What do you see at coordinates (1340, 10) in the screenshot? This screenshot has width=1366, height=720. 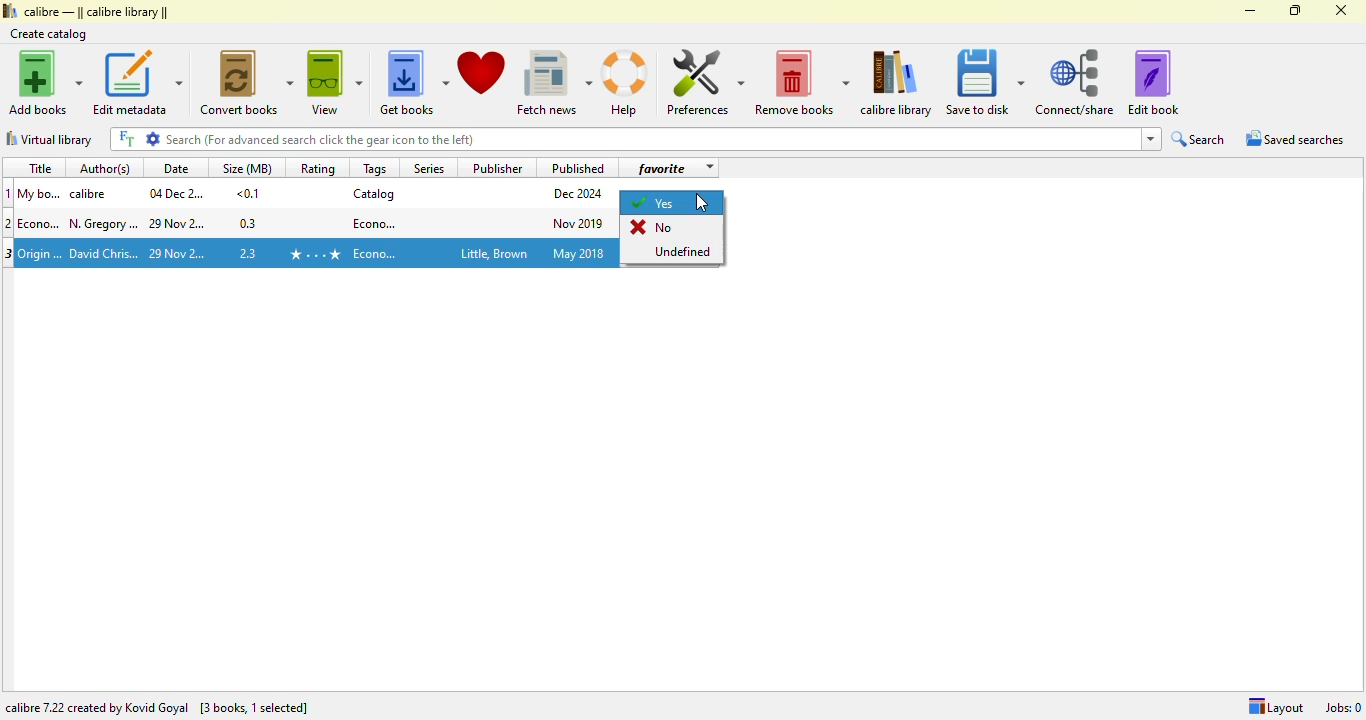 I see `close` at bounding box center [1340, 10].